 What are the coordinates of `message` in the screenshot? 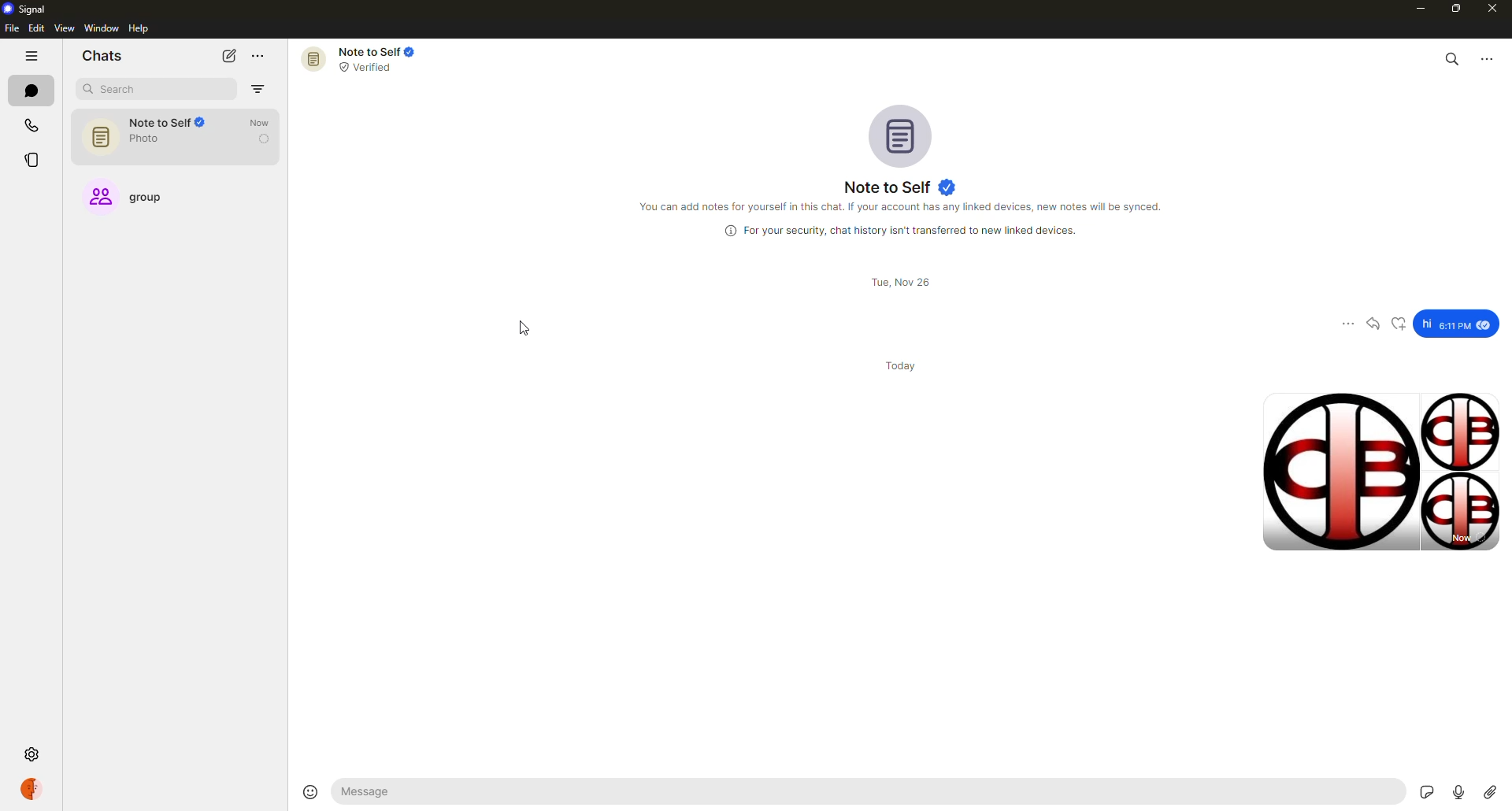 It's located at (370, 792).